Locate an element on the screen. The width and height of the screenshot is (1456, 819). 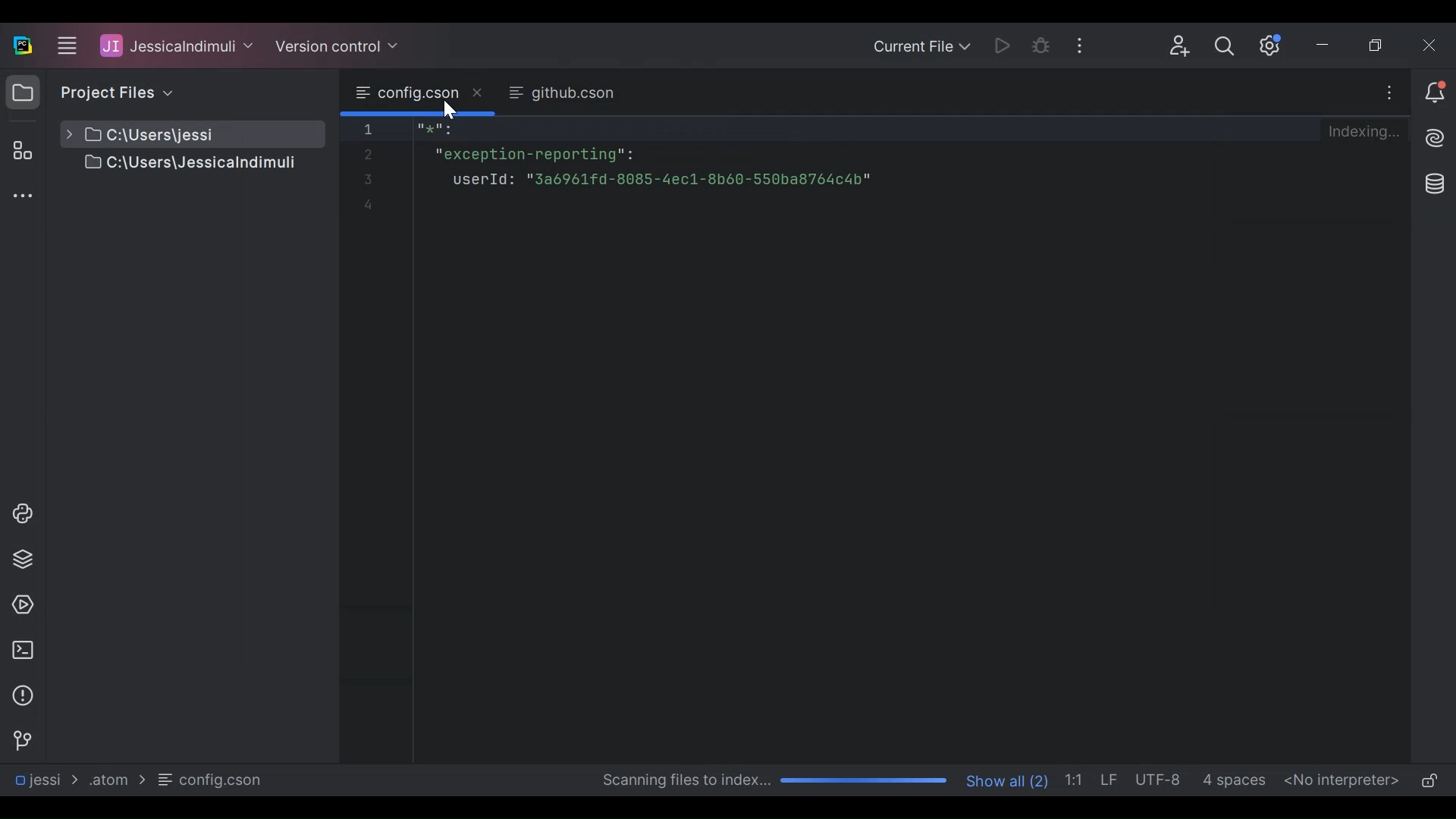
Close is located at coordinates (1432, 45).